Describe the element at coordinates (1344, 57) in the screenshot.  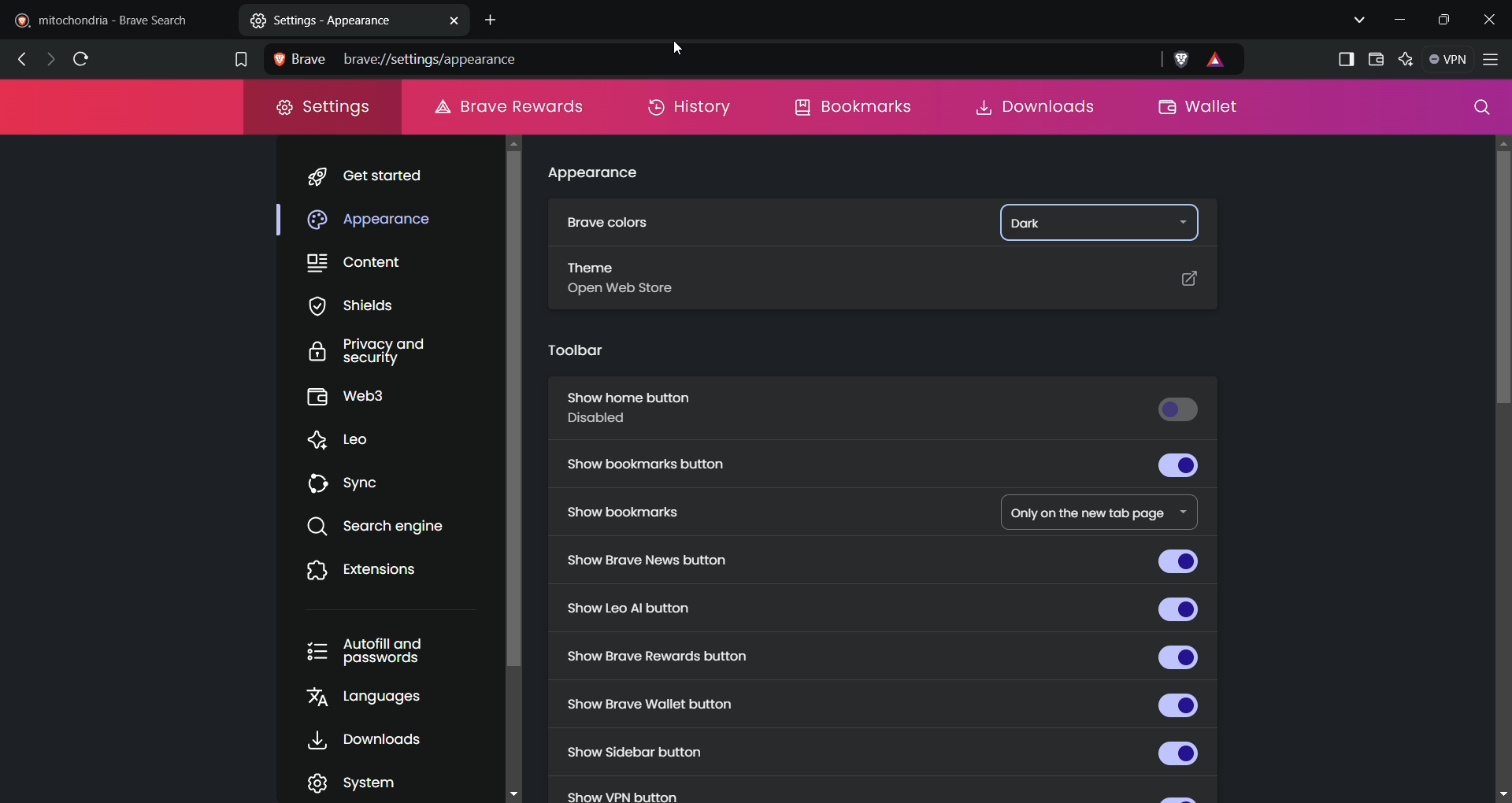
I see `show sidebar` at that location.